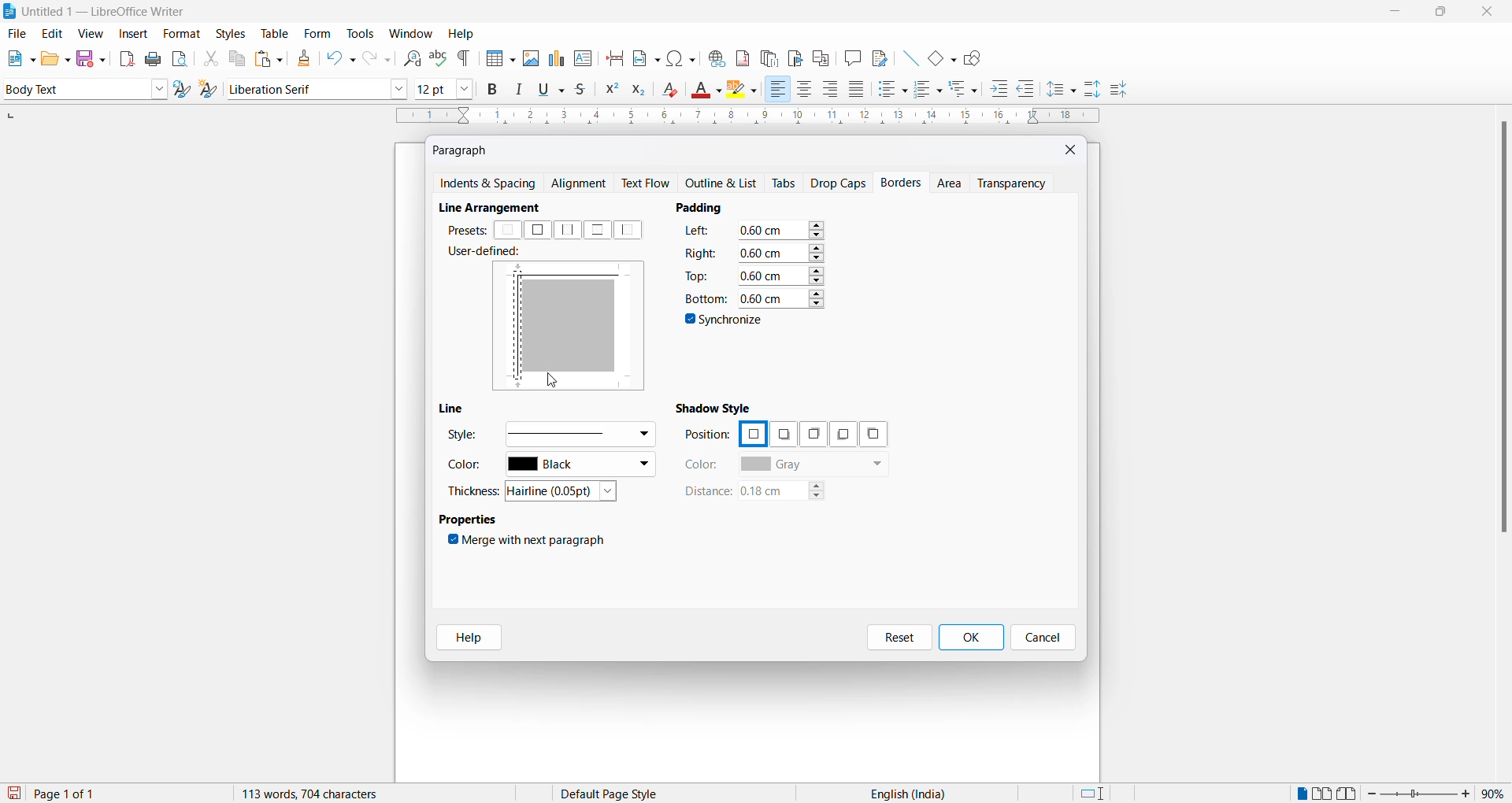  What do you see at coordinates (497, 60) in the screenshot?
I see `insert image` at bounding box center [497, 60].